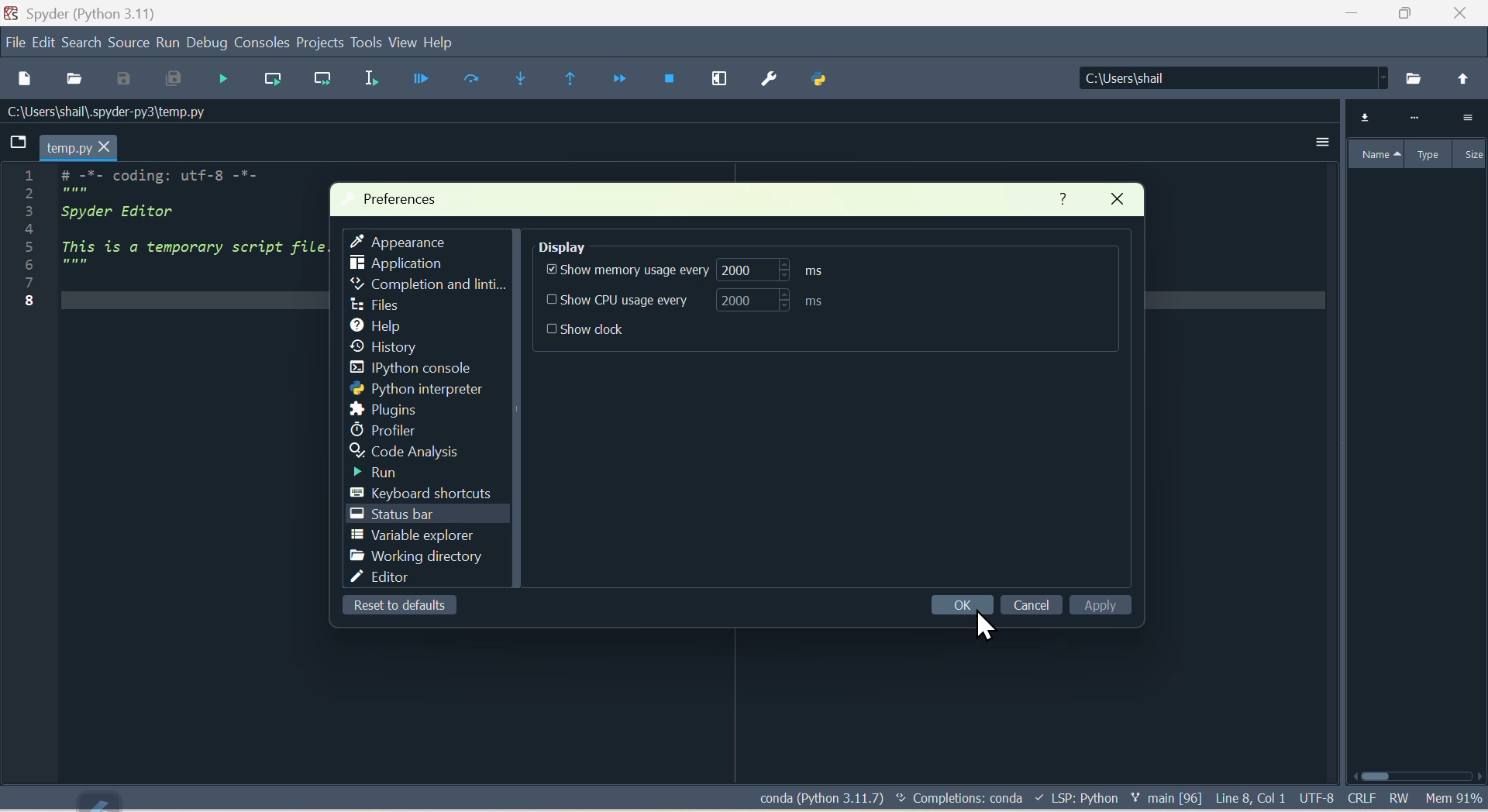 The height and width of the screenshot is (812, 1488). What do you see at coordinates (167, 42) in the screenshot?
I see `Run` at bounding box center [167, 42].